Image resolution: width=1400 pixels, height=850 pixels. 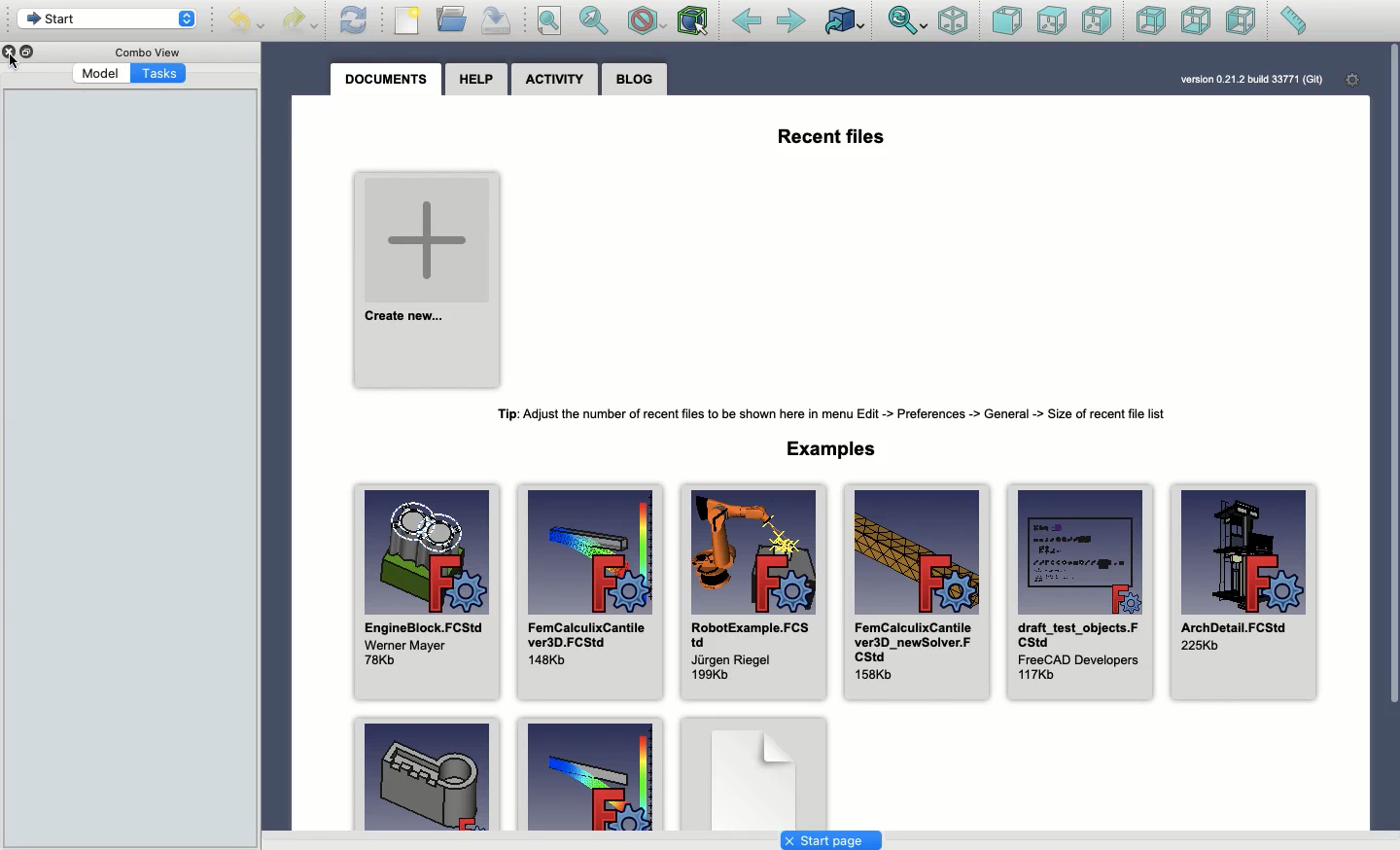 I want to click on Forwarded, so click(x=791, y=20).